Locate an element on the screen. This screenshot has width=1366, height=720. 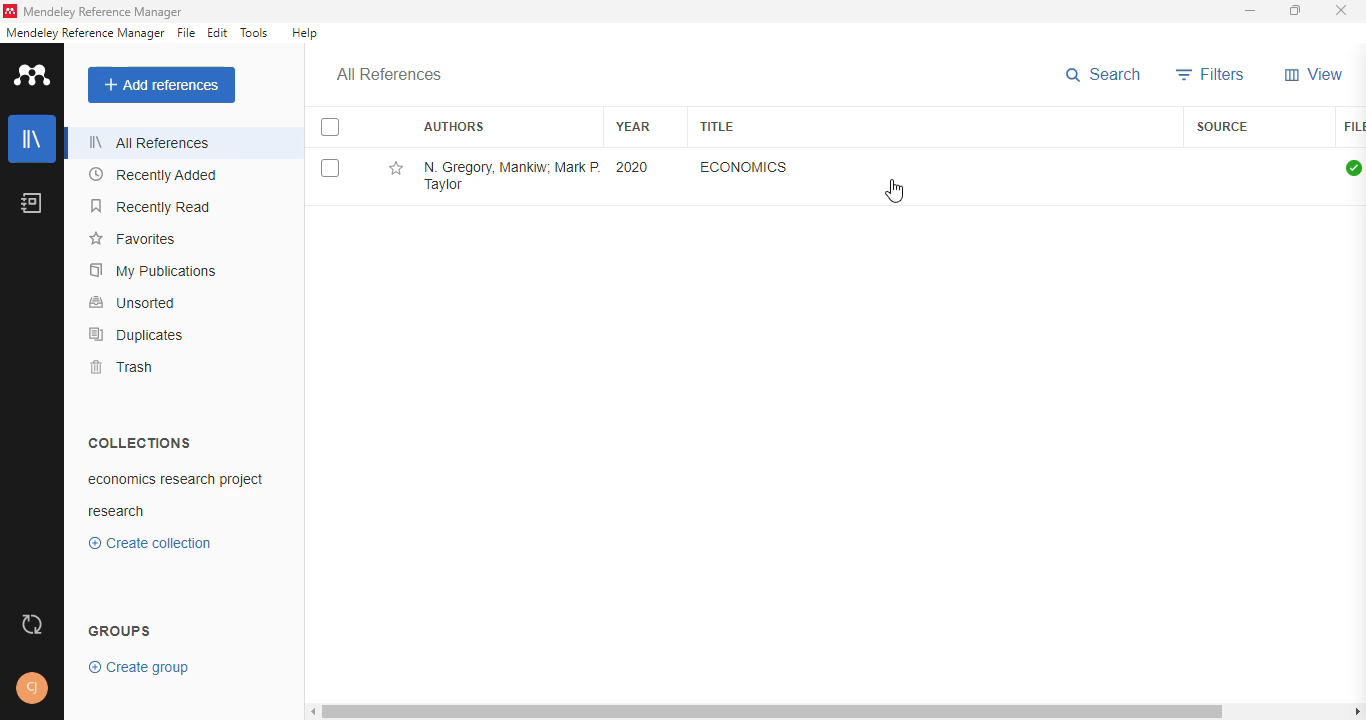
all references is located at coordinates (391, 73).